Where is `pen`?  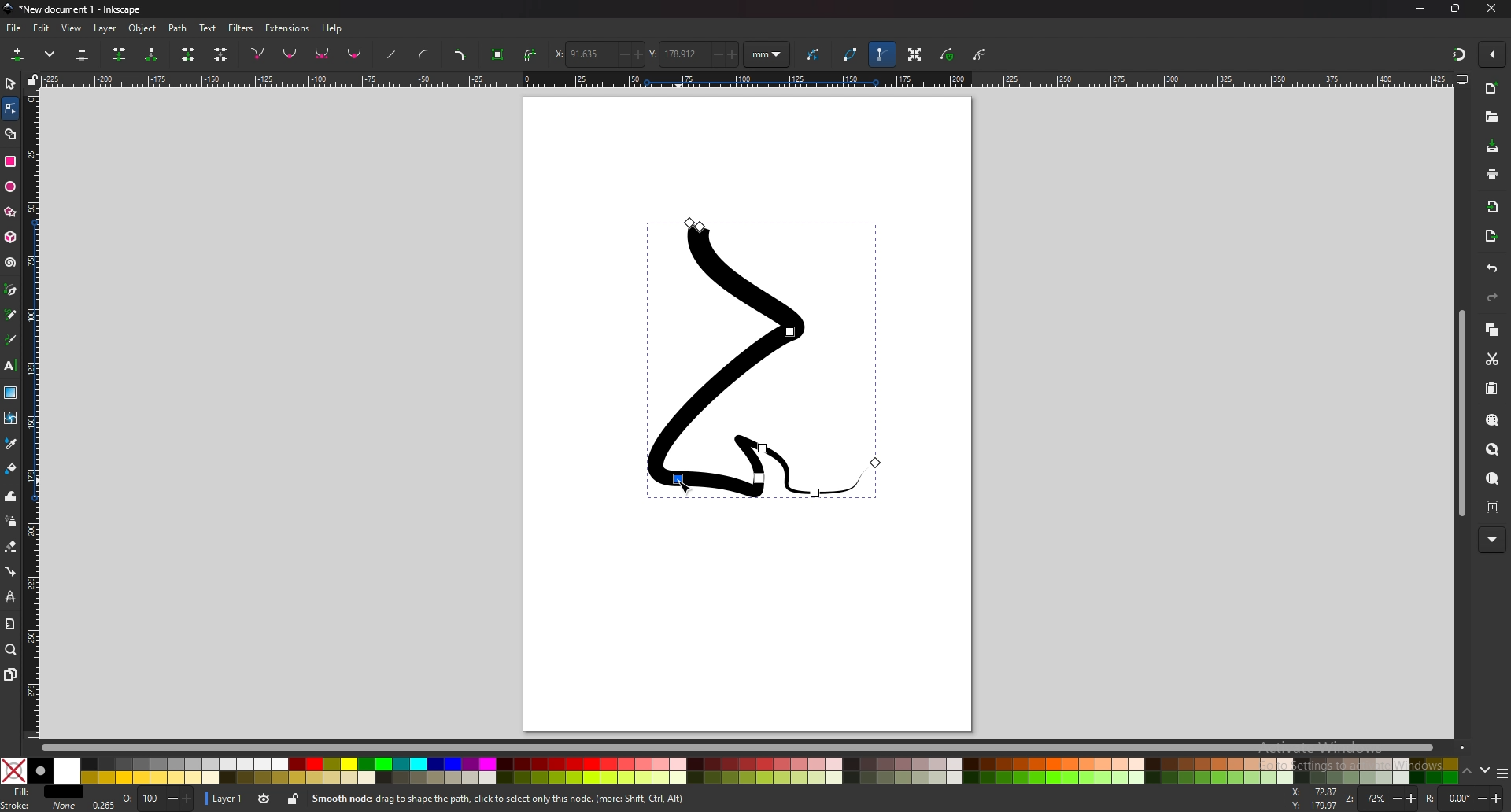
pen is located at coordinates (12, 289).